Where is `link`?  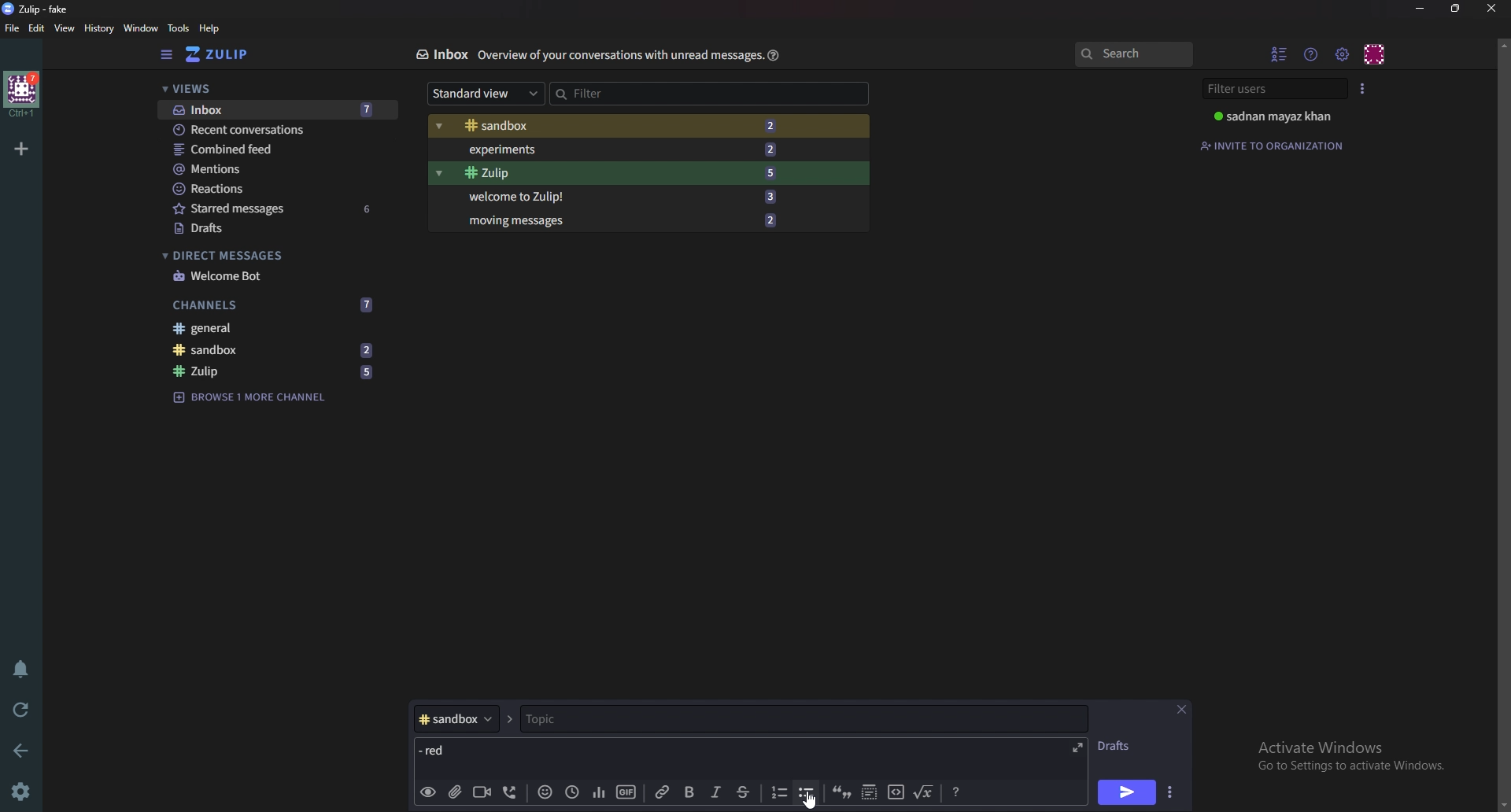 link is located at coordinates (665, 792).